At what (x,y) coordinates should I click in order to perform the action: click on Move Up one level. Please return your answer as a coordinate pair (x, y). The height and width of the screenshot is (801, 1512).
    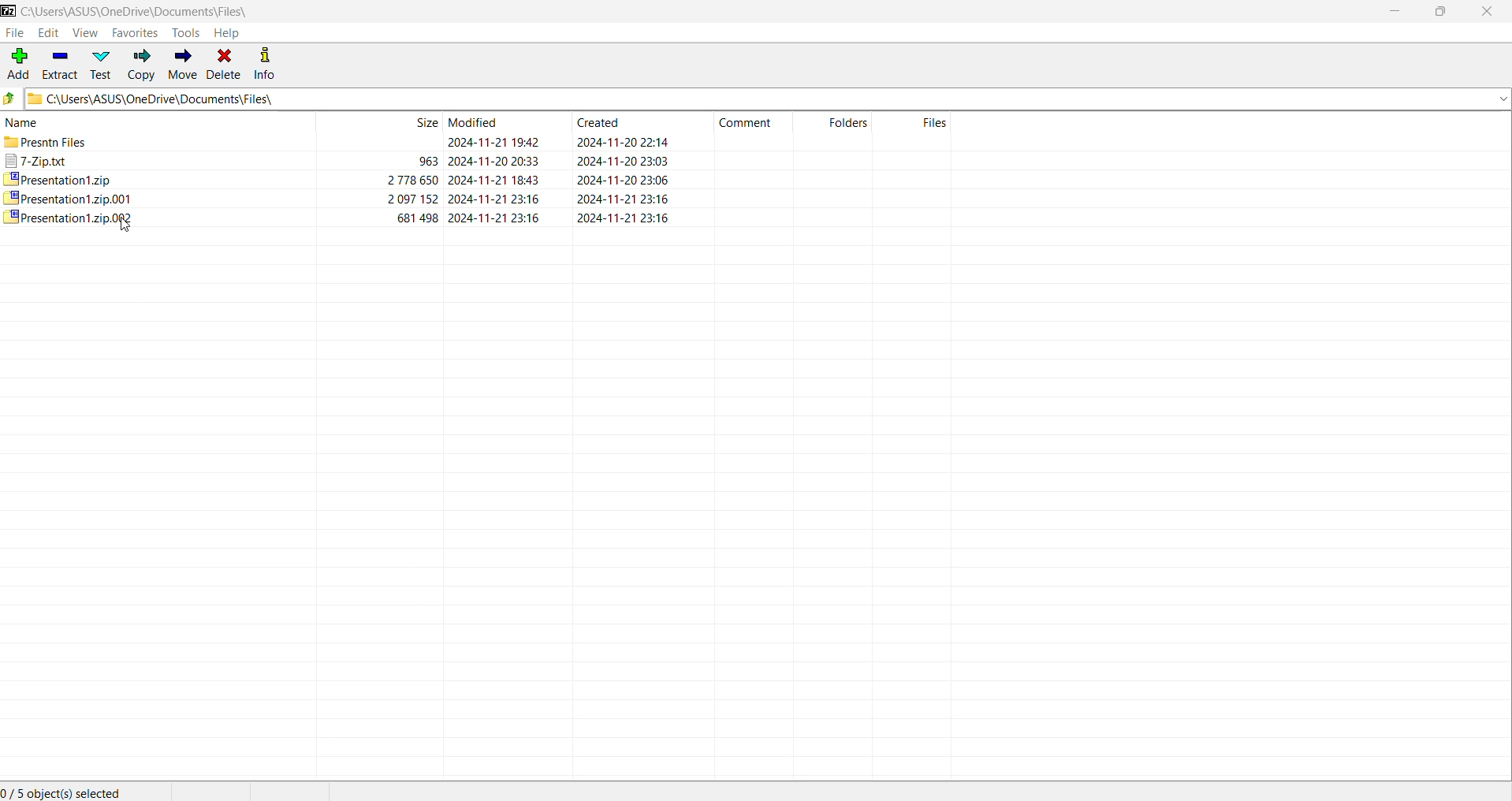
    Looking at the image, I should click on (11, 98).